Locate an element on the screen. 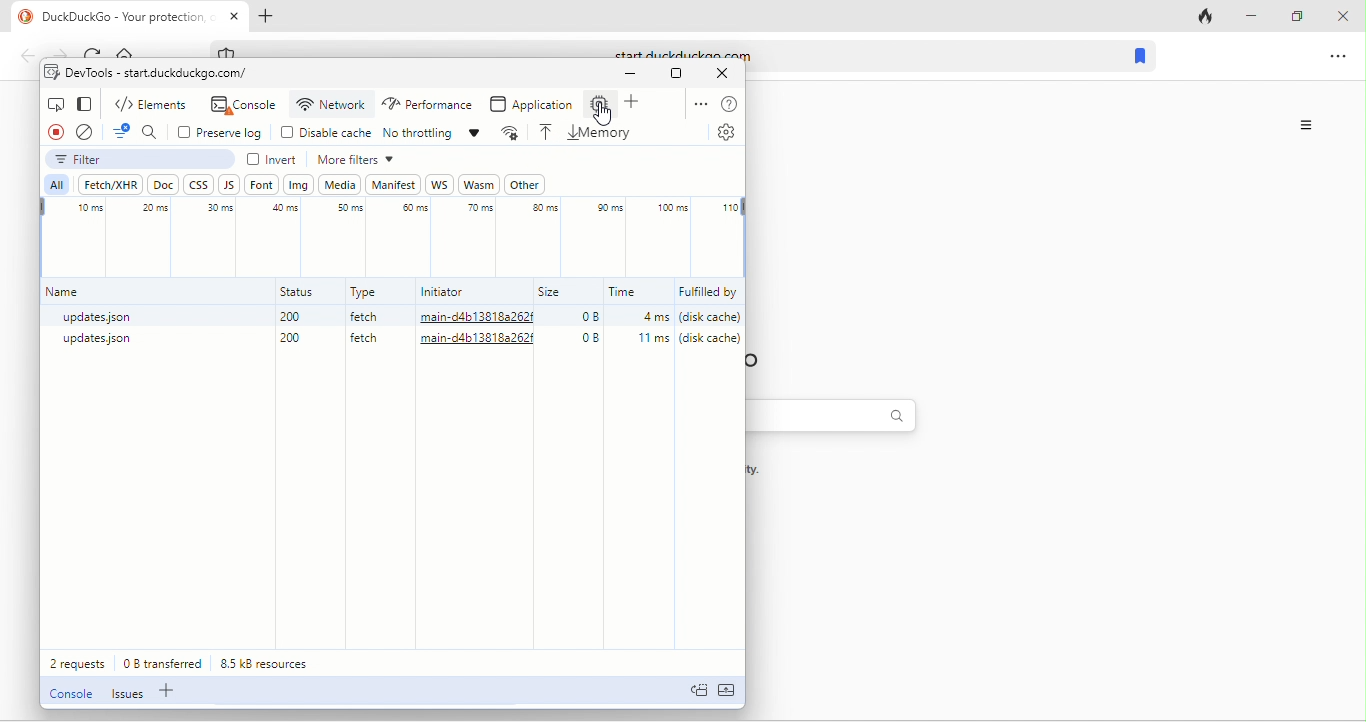 The width and height of the screenshot is (1366, 722). 20 ms is located at coordinates (146, 211).